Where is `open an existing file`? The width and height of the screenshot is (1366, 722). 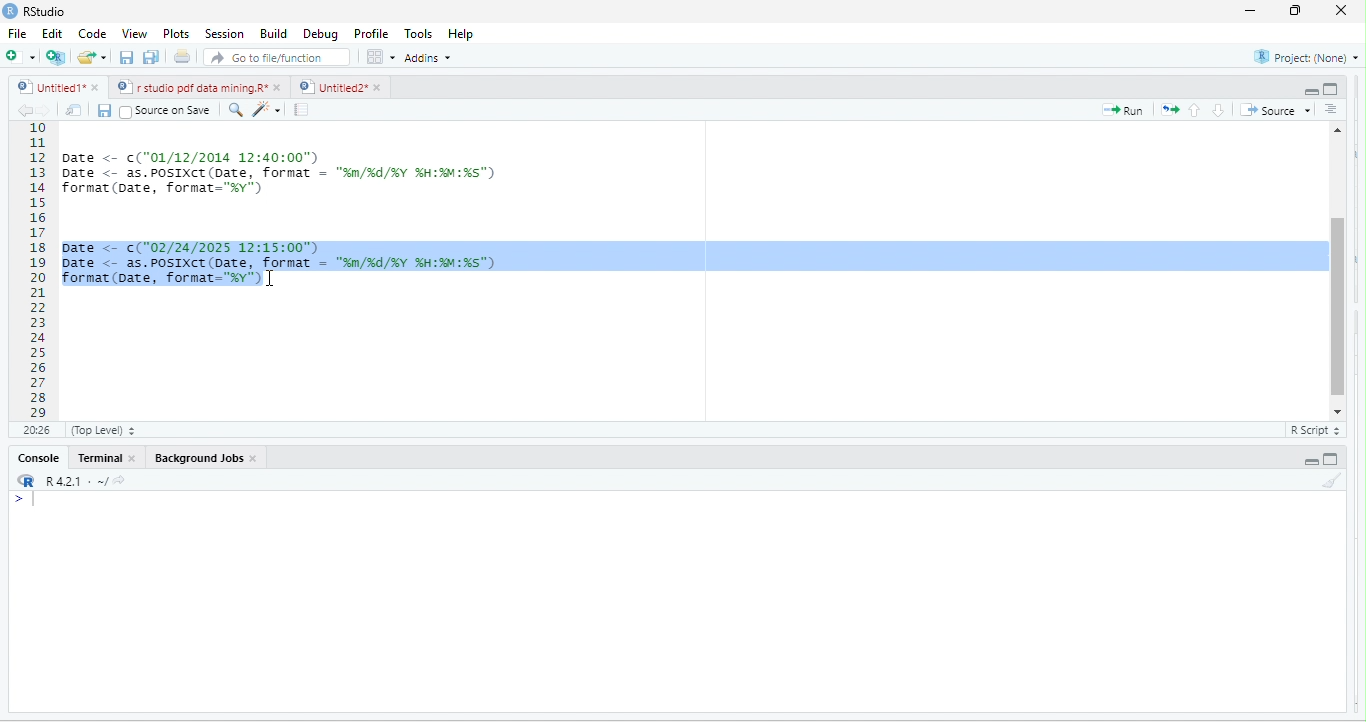
open an existing file is located at coordinates (93, 57).